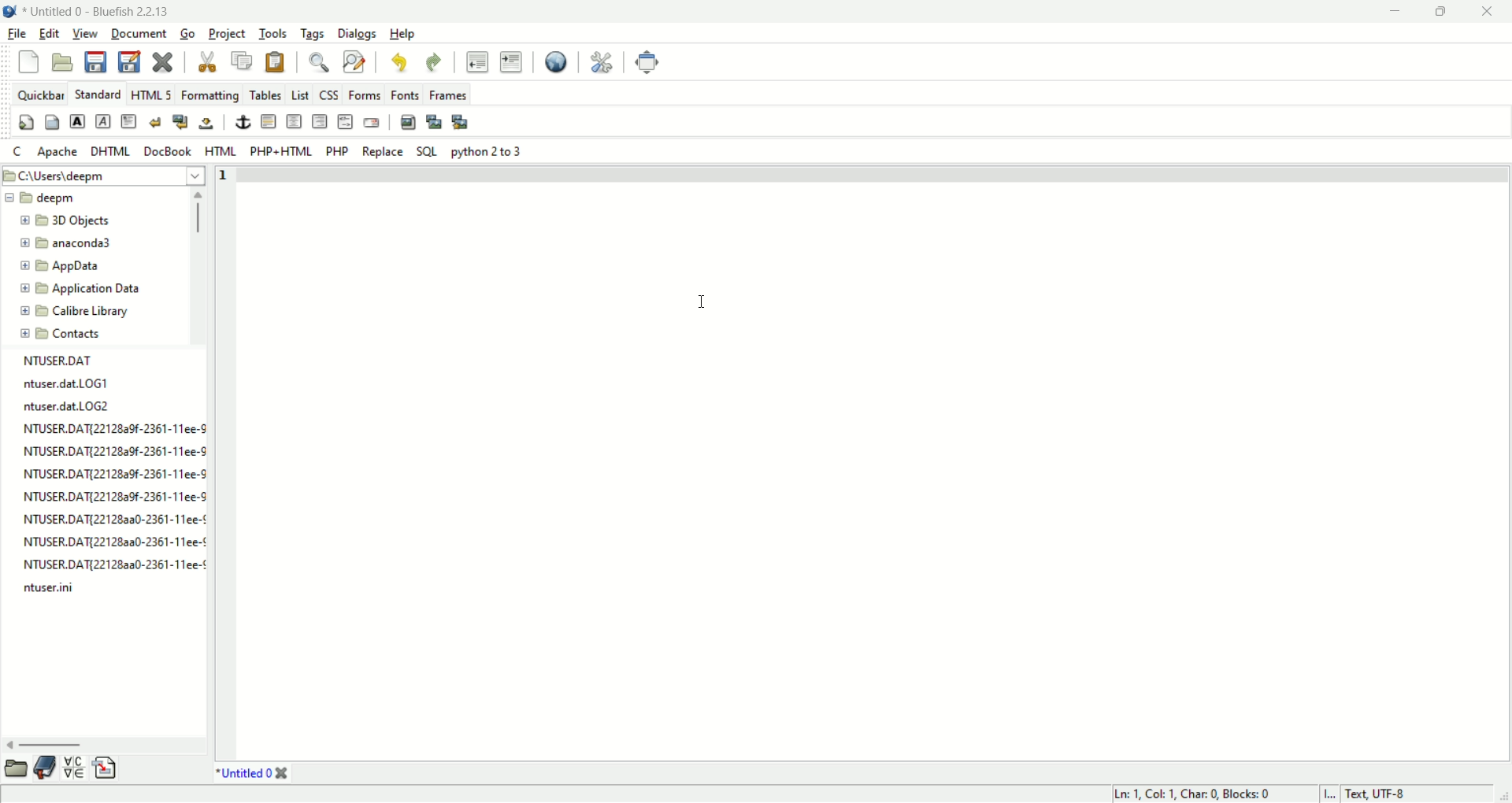 This screenshot has width=1512, height=803. What do you see at coordinates (328, 94) in the screenshot?
I see `CSS` at bounding box center [328, 94].